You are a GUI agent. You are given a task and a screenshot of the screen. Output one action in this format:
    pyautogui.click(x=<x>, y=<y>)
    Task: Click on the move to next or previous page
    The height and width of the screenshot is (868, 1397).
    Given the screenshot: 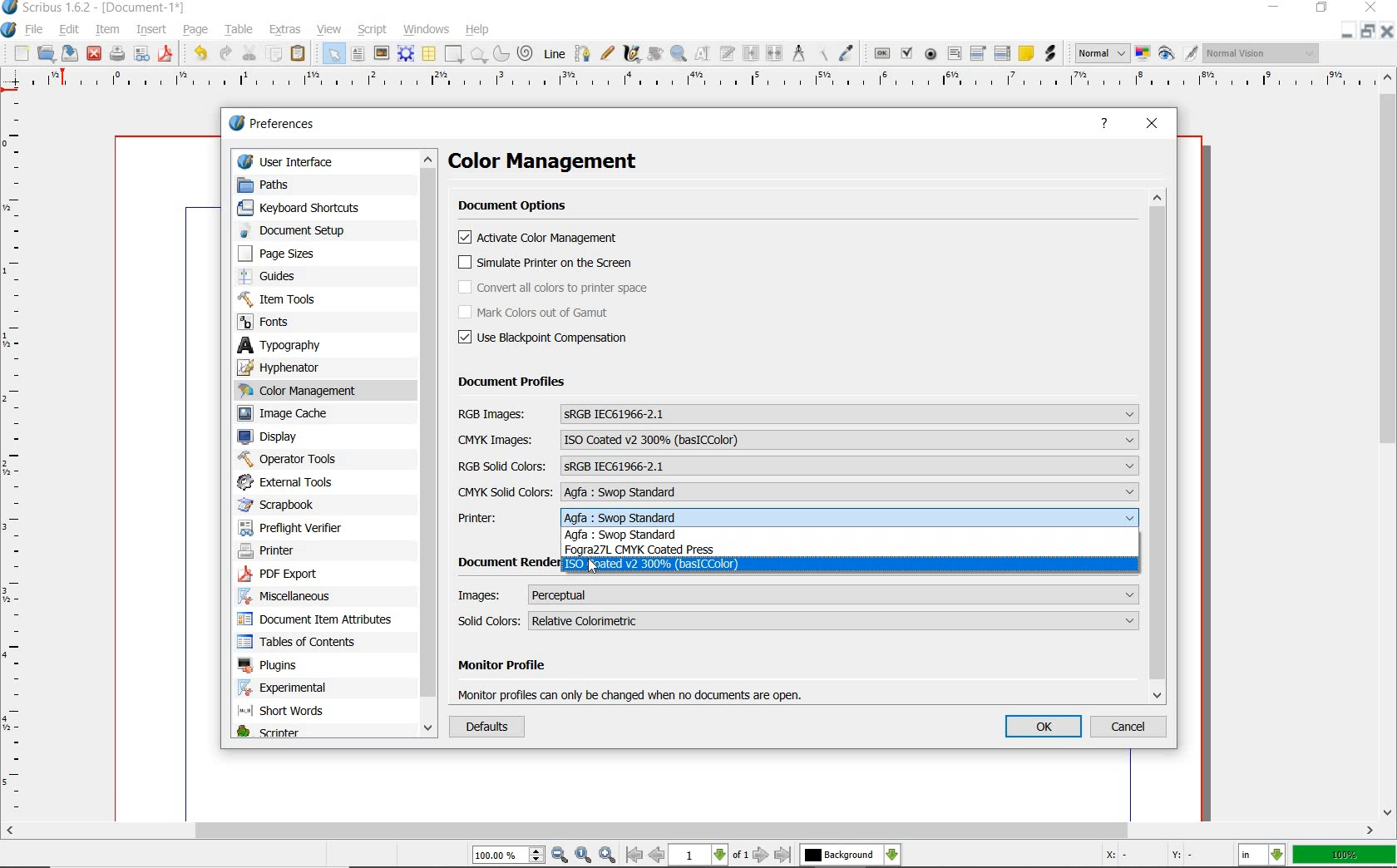 What is the action you would take?
    pyautogui.click(x=708, y=855)
    